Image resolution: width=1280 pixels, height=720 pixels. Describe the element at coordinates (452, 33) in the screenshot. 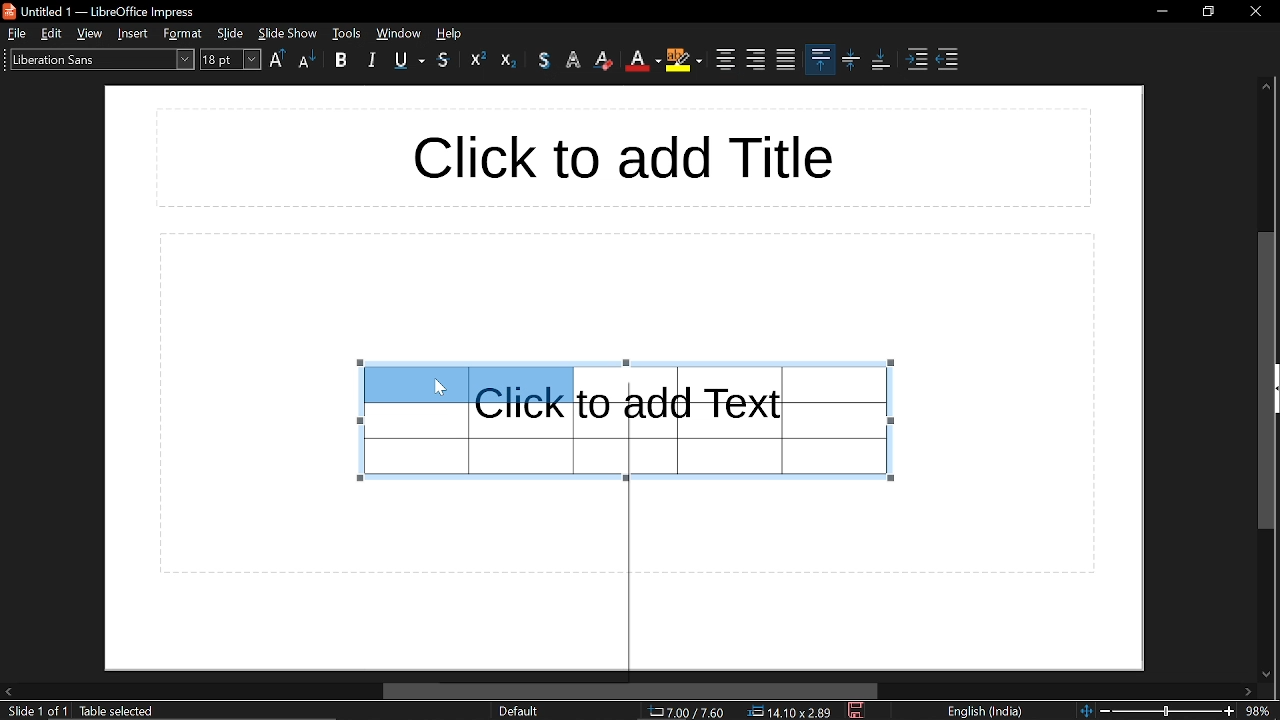

I see `help` at that location.